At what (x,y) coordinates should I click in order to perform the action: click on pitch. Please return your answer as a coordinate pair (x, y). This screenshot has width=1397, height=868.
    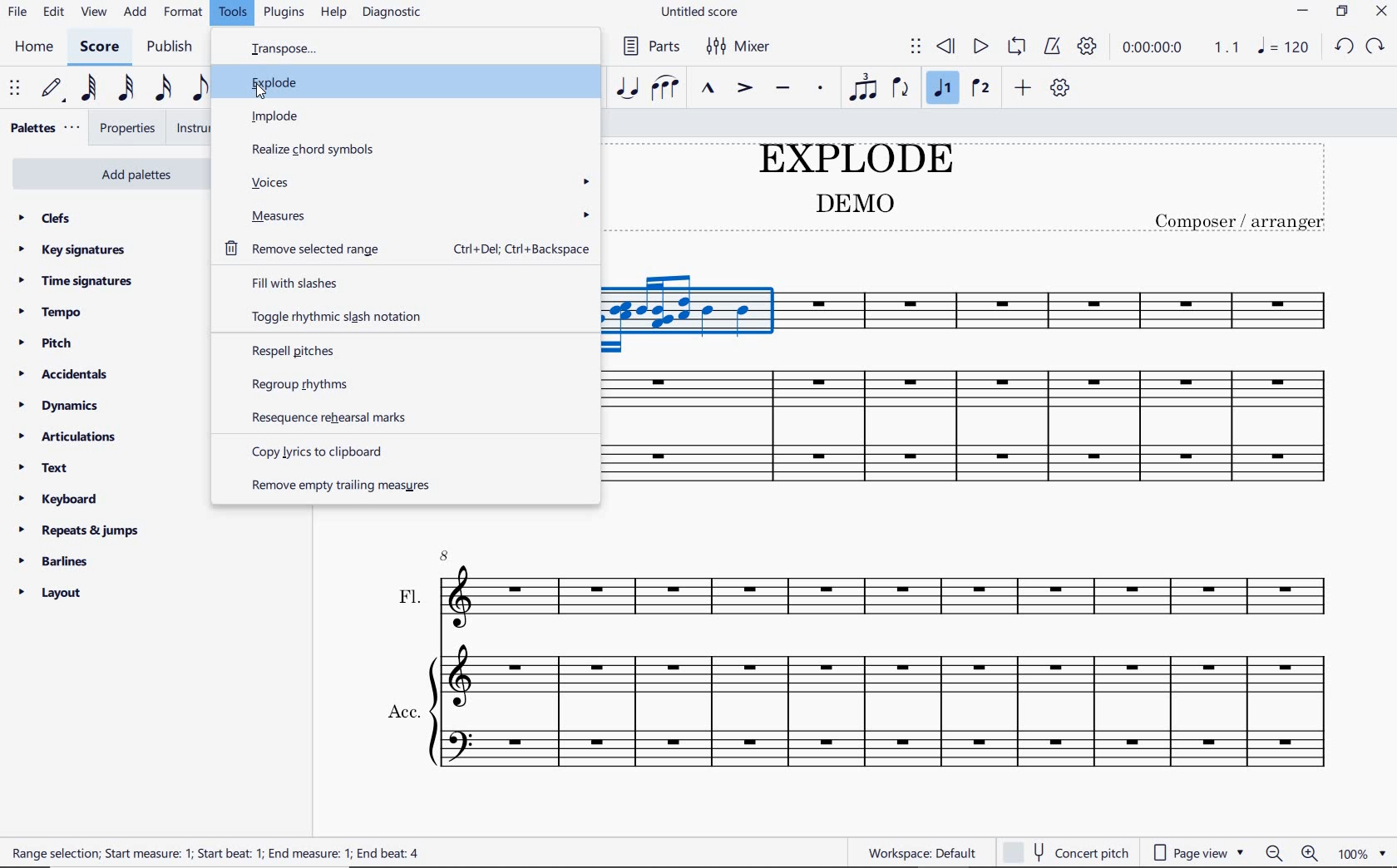
    Looking at the image, I should click on (48, 344).